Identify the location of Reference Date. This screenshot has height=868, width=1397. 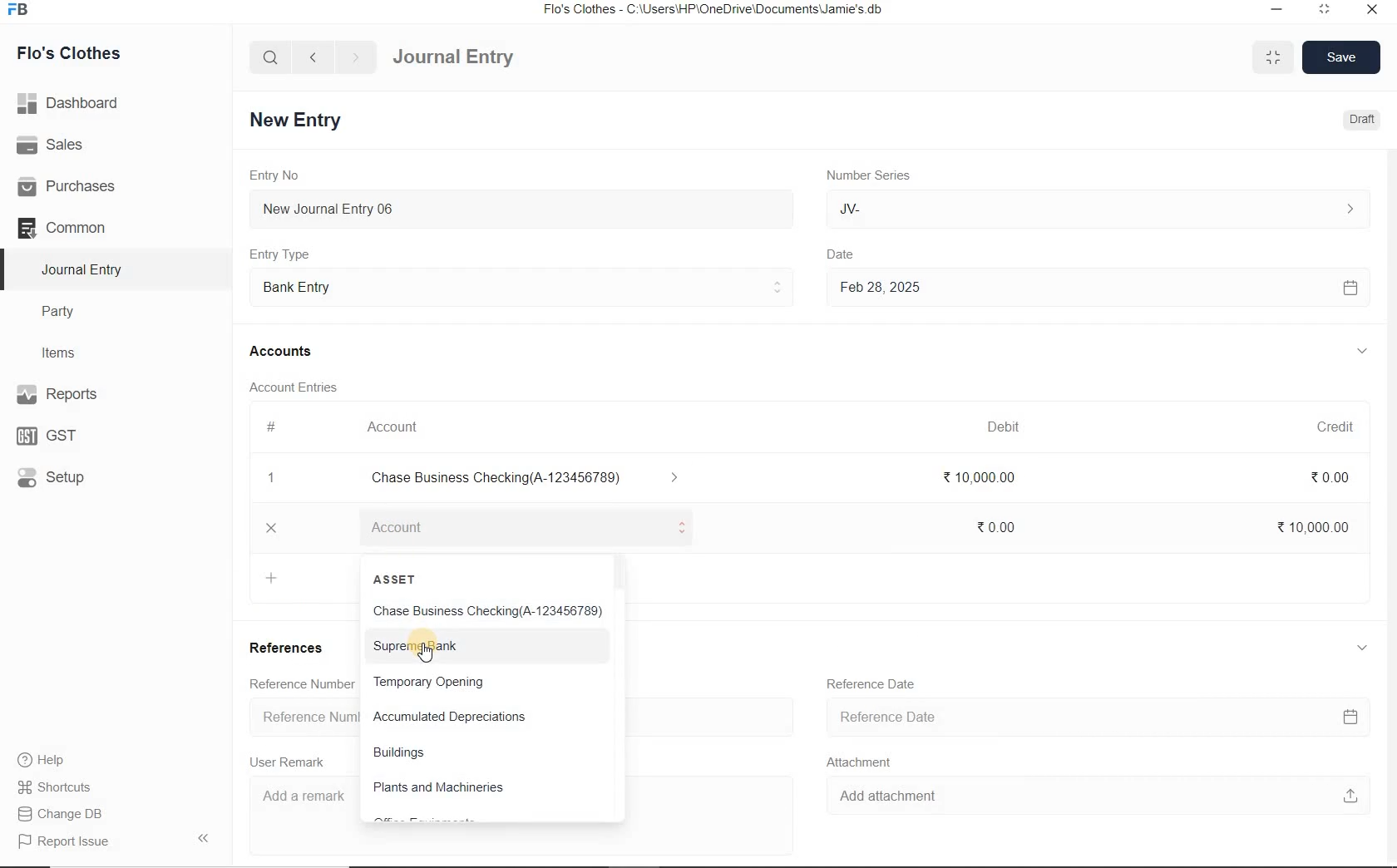
(879, 689).